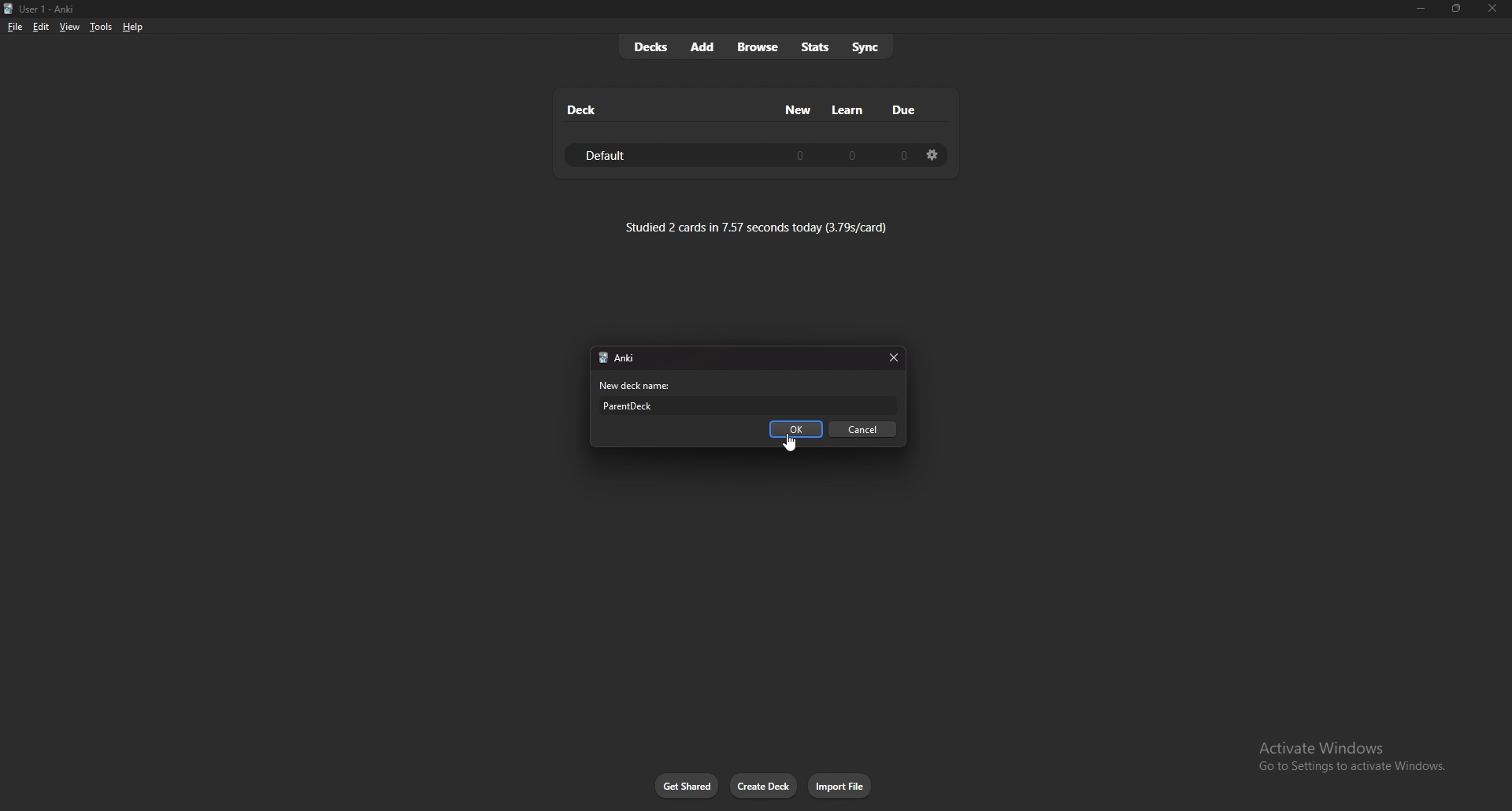 The height and width of the screenshot is (811, 1512). I want to click on new deck name, so click(639, 386).